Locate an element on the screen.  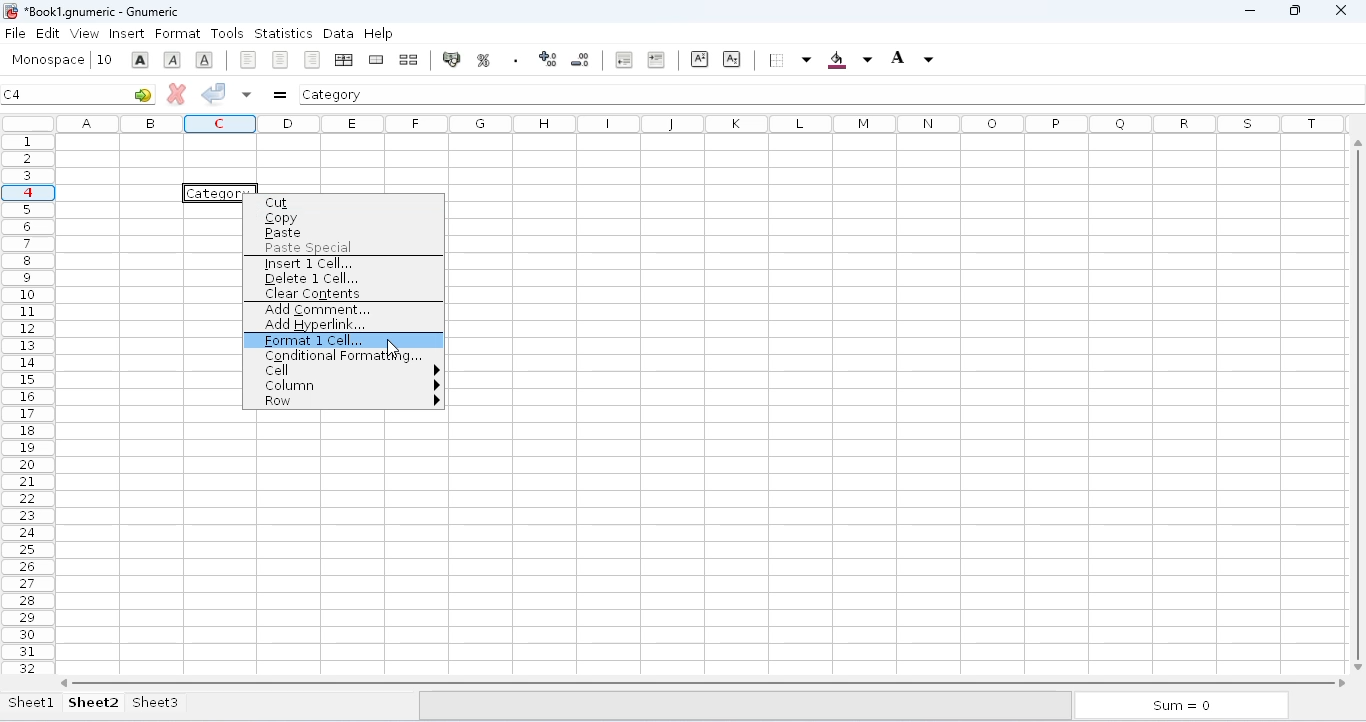
paste special is located at coordinates (308, 249).